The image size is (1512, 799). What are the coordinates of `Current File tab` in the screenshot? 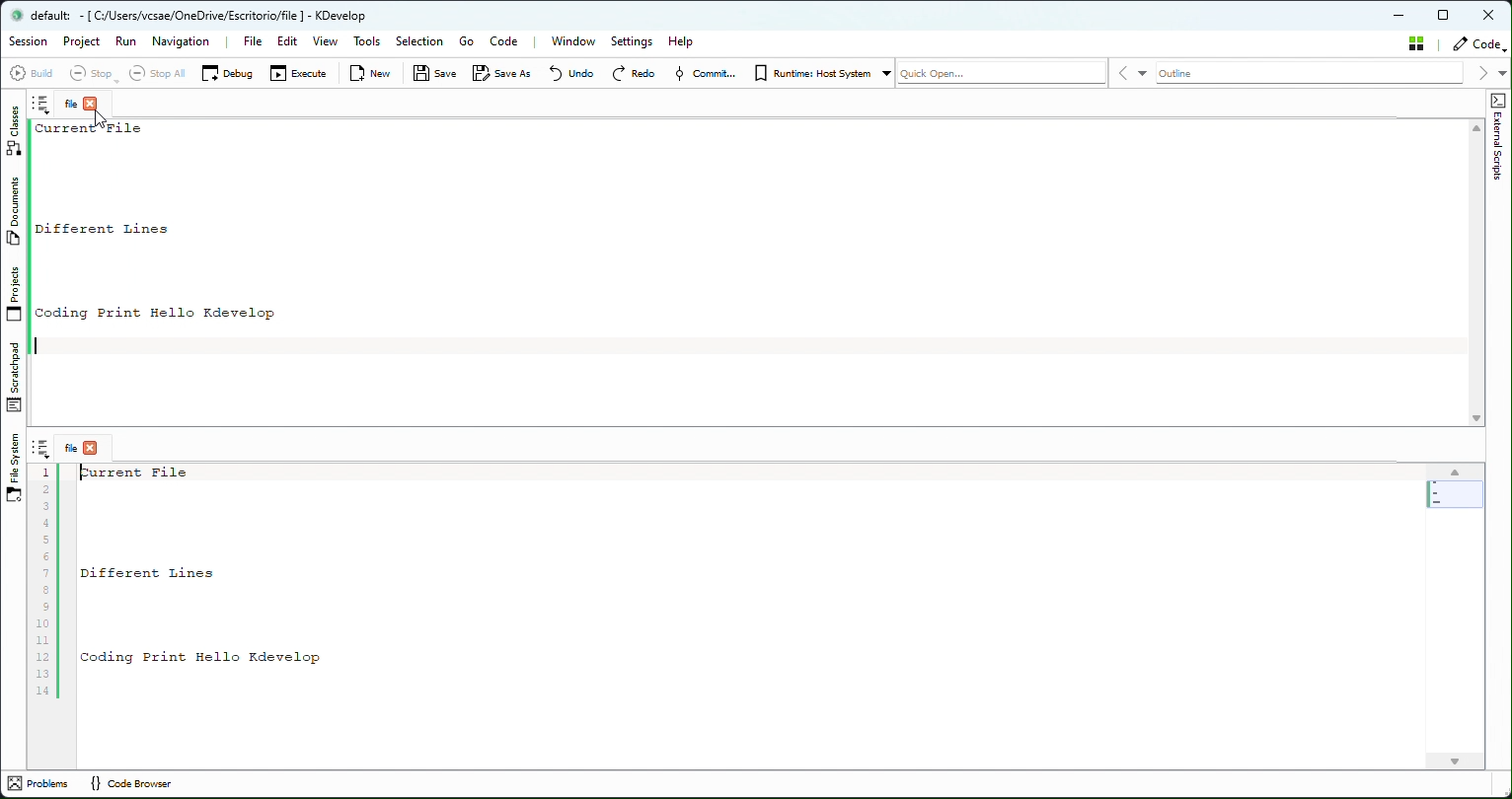 It's located at (83, 448).